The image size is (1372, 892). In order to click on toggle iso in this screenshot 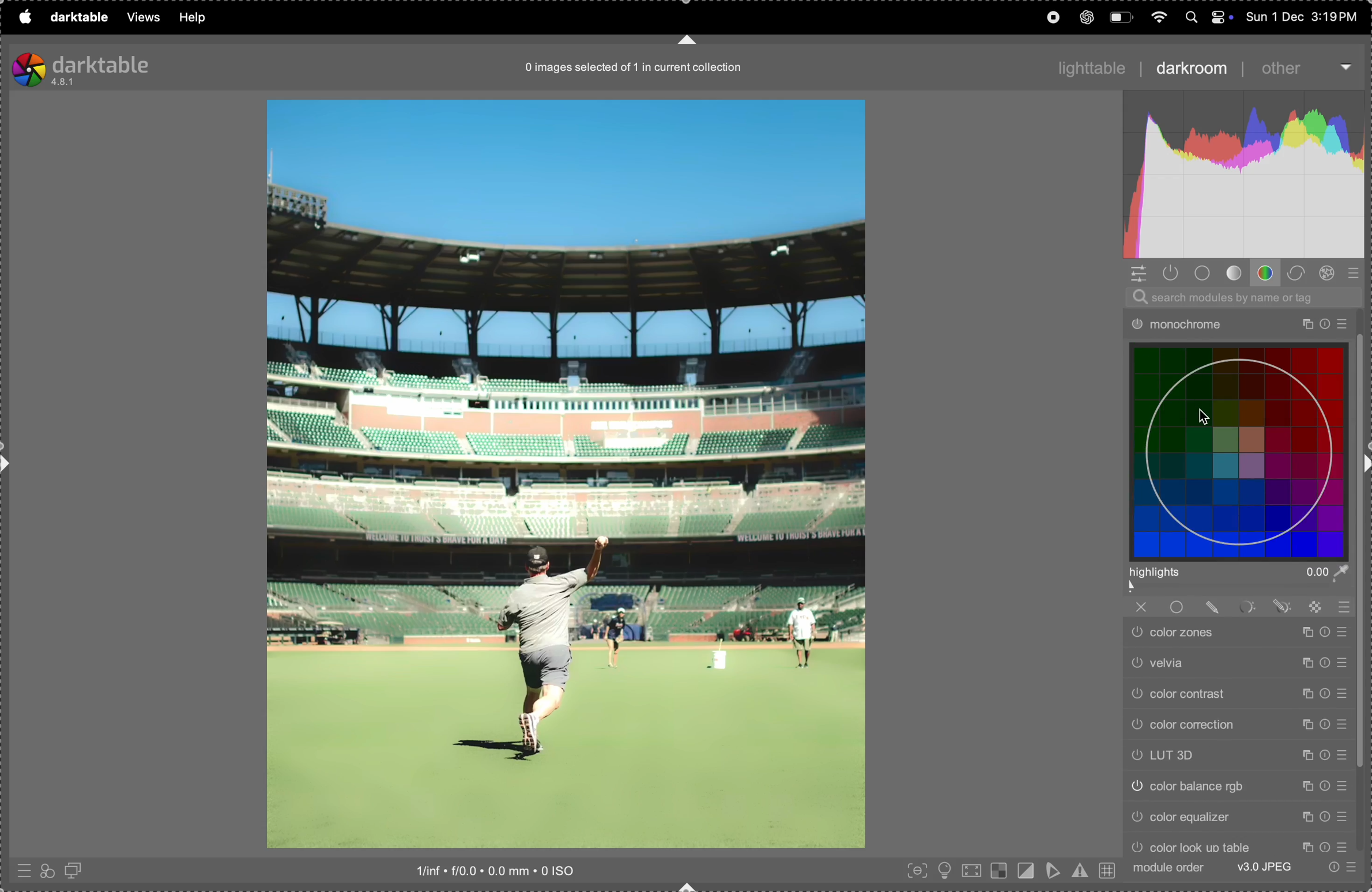, I will do `click(946, 870)`.